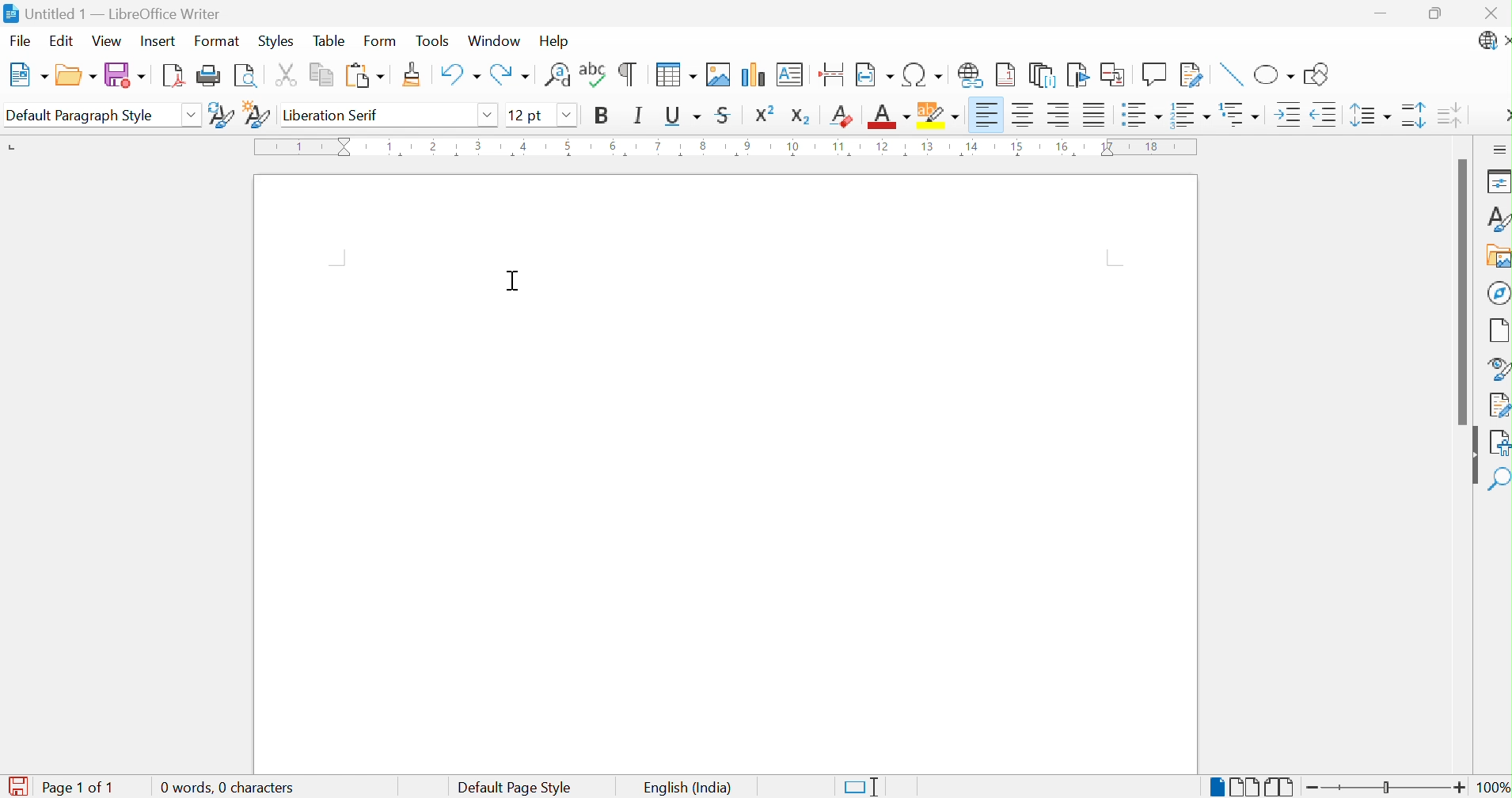 The height and width of the screenshot is (798, 1512). Describe the element at coordinates (1272, 72) in the screenshot. I see `Basic Shapes` at that location.